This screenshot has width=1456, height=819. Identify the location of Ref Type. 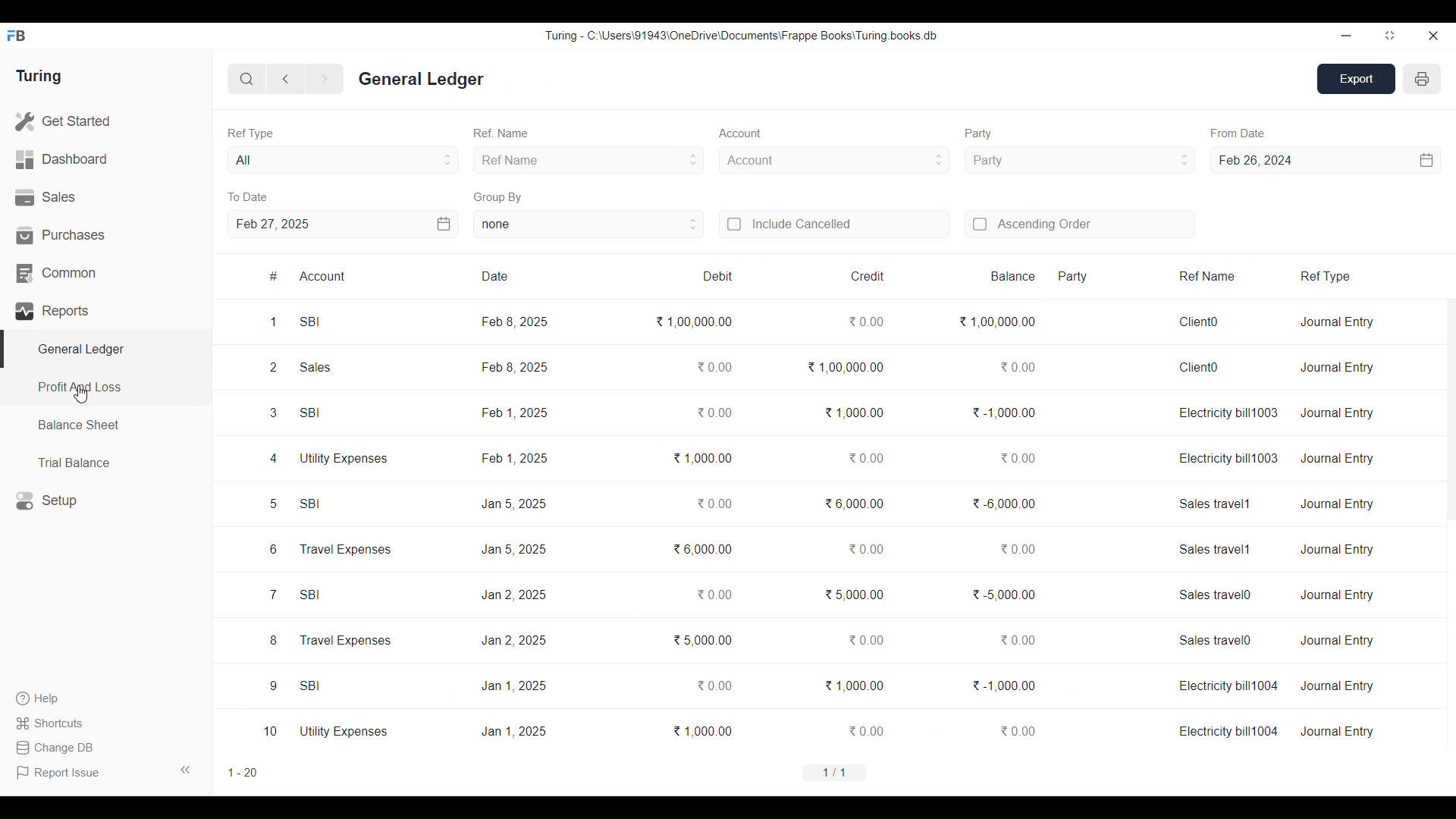
(251, 133).